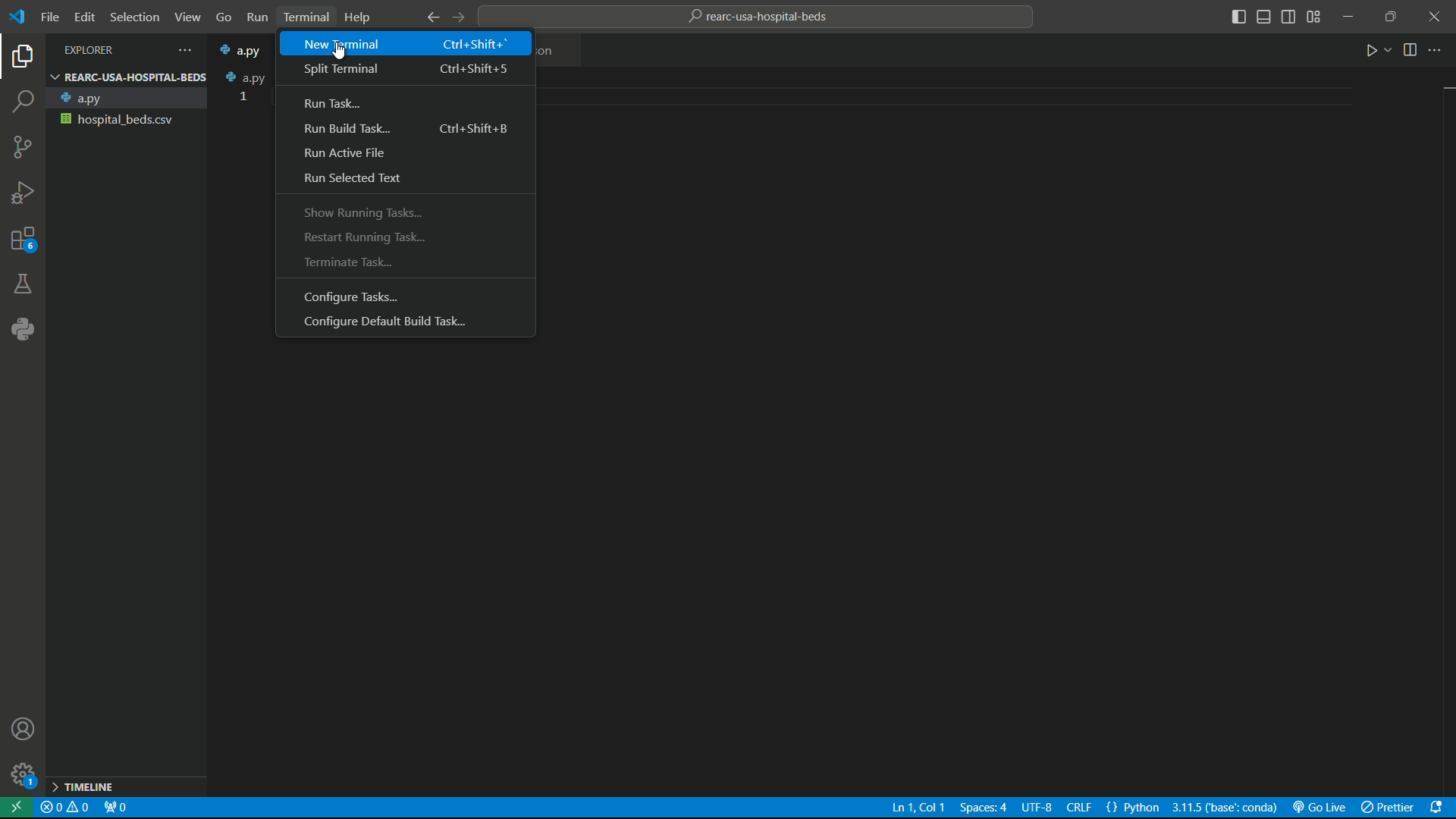 This screenshot has width=1456, height=819. What do you see at coordinates (86, 17) in the screenshot?
I see `edit menu` at bounding box center [86, 17].